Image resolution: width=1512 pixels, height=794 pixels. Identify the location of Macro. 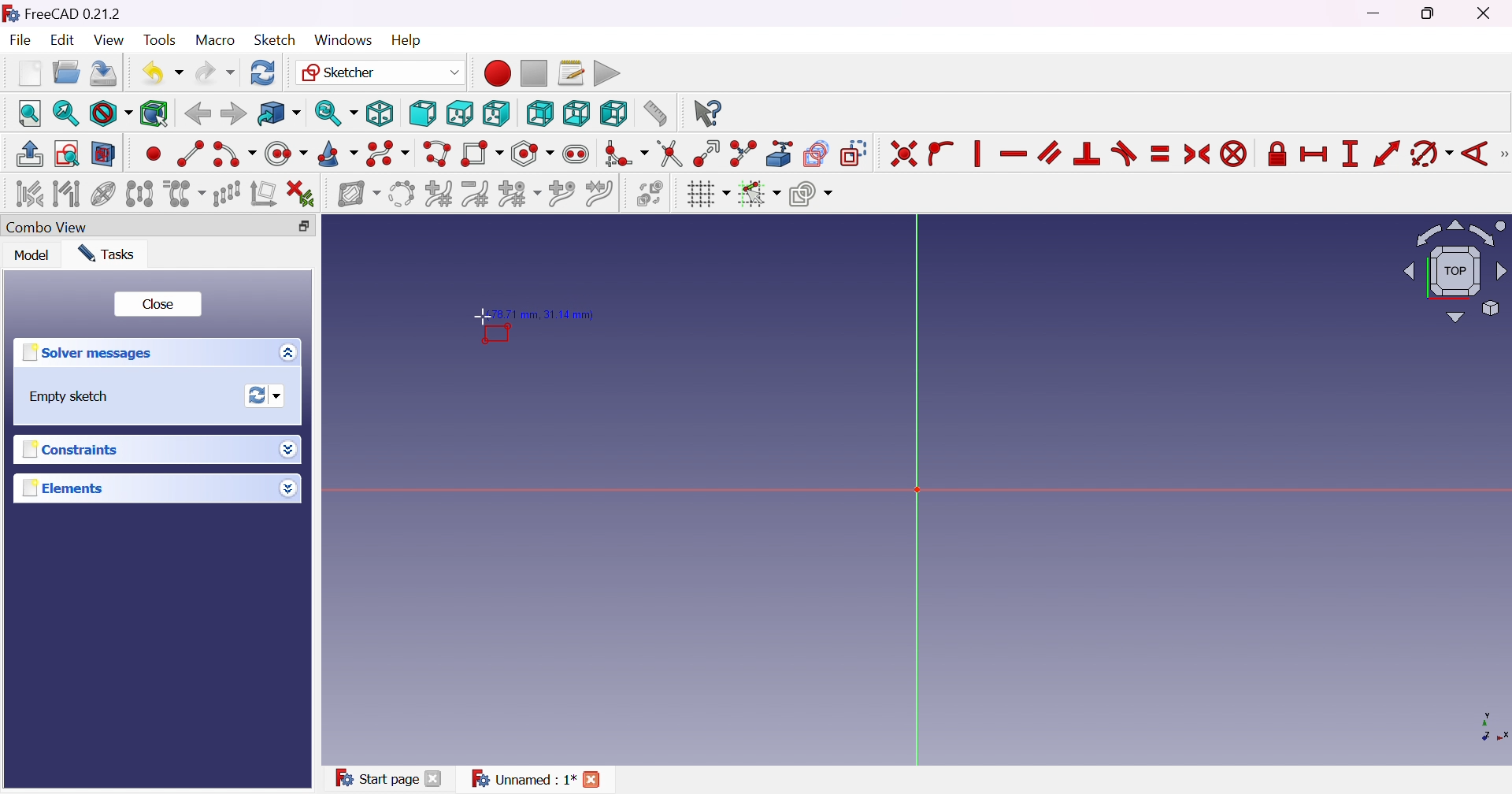
(213, 40).